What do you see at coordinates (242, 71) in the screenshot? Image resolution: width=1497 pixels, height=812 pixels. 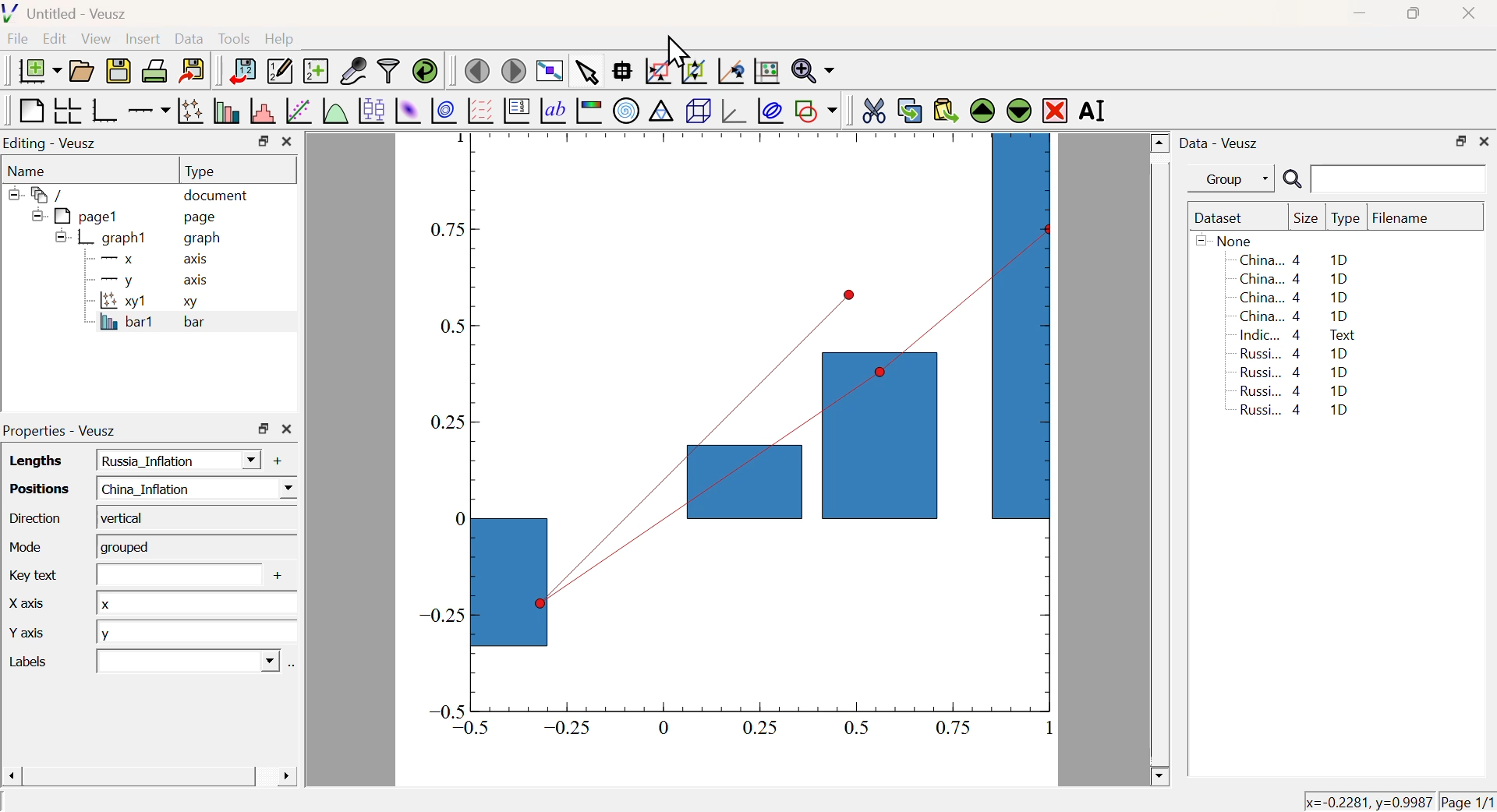 I see `Import Data` at bounding box center [242, 71].